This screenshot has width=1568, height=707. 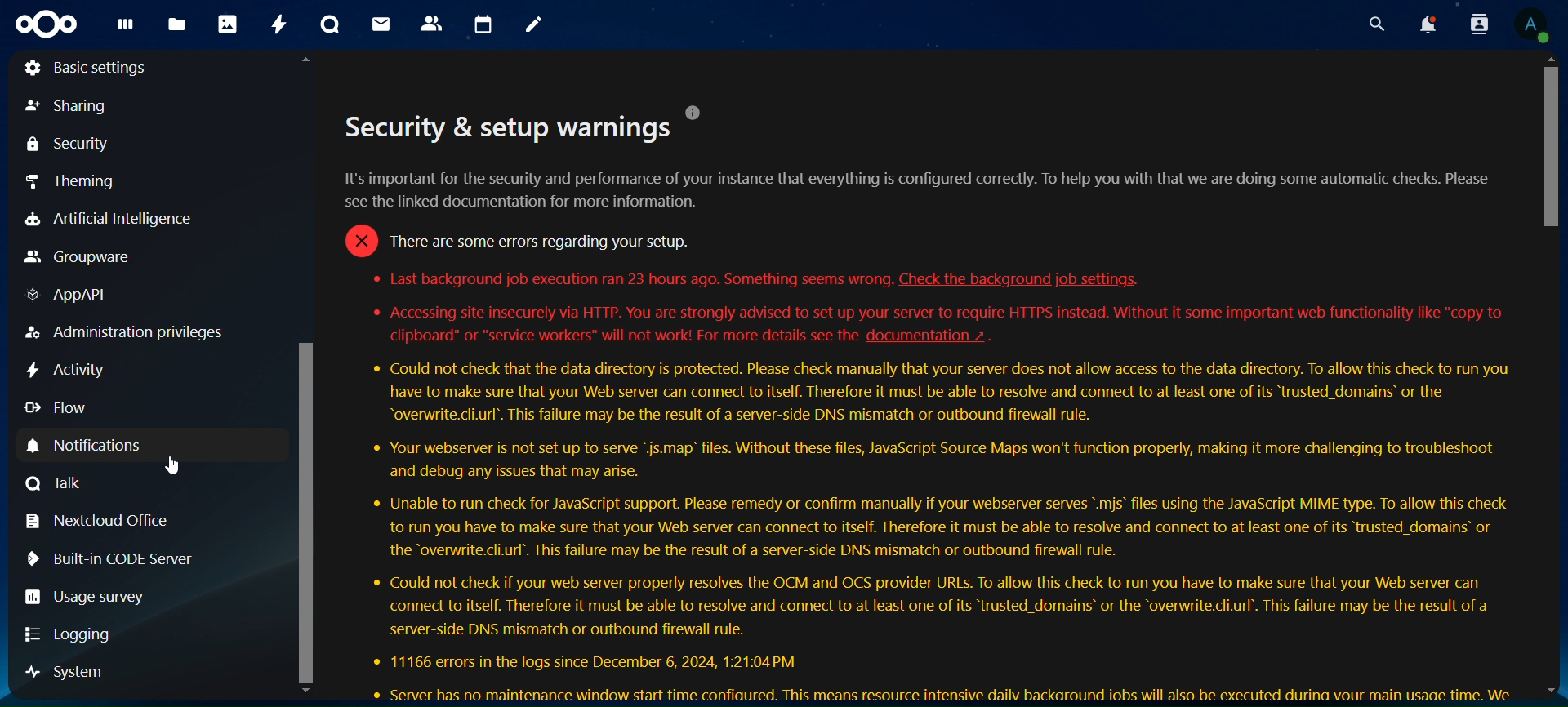 I want to click on logging, so click(x=73, y=638).